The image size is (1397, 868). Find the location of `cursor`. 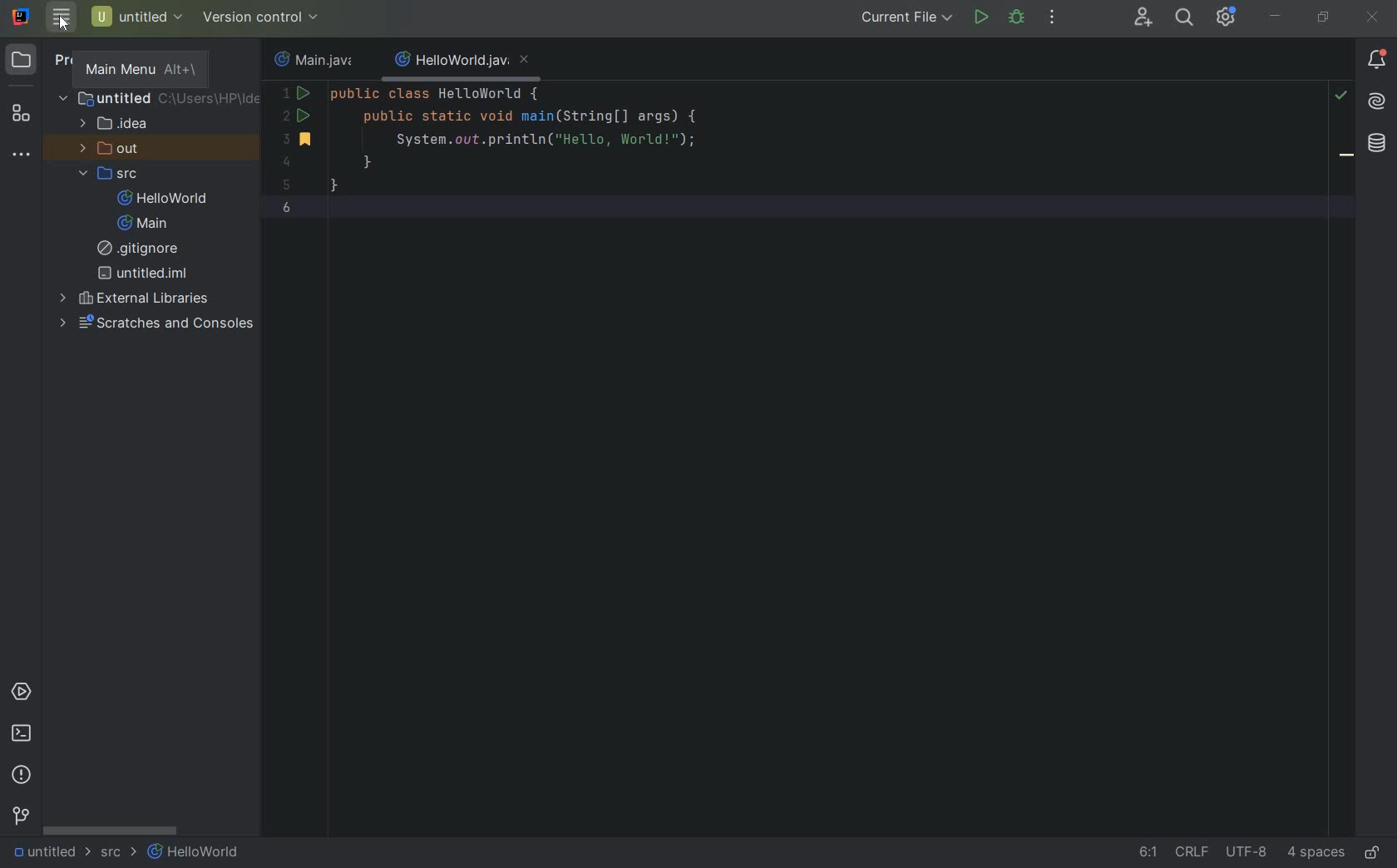

cursor is located at coordinates (63, 25).